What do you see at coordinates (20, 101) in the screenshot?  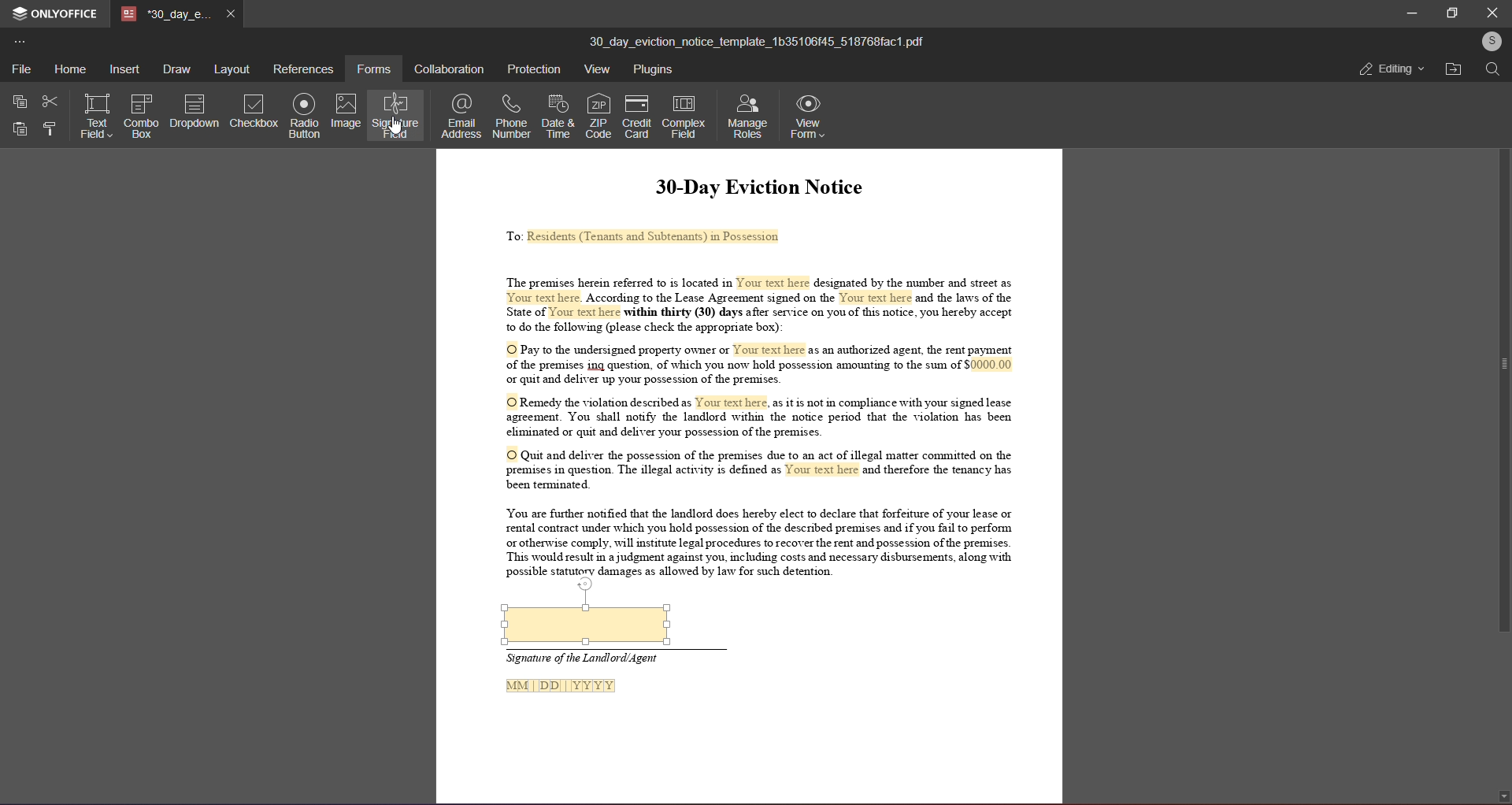 I see `copy` at bounding box center [20, 101].